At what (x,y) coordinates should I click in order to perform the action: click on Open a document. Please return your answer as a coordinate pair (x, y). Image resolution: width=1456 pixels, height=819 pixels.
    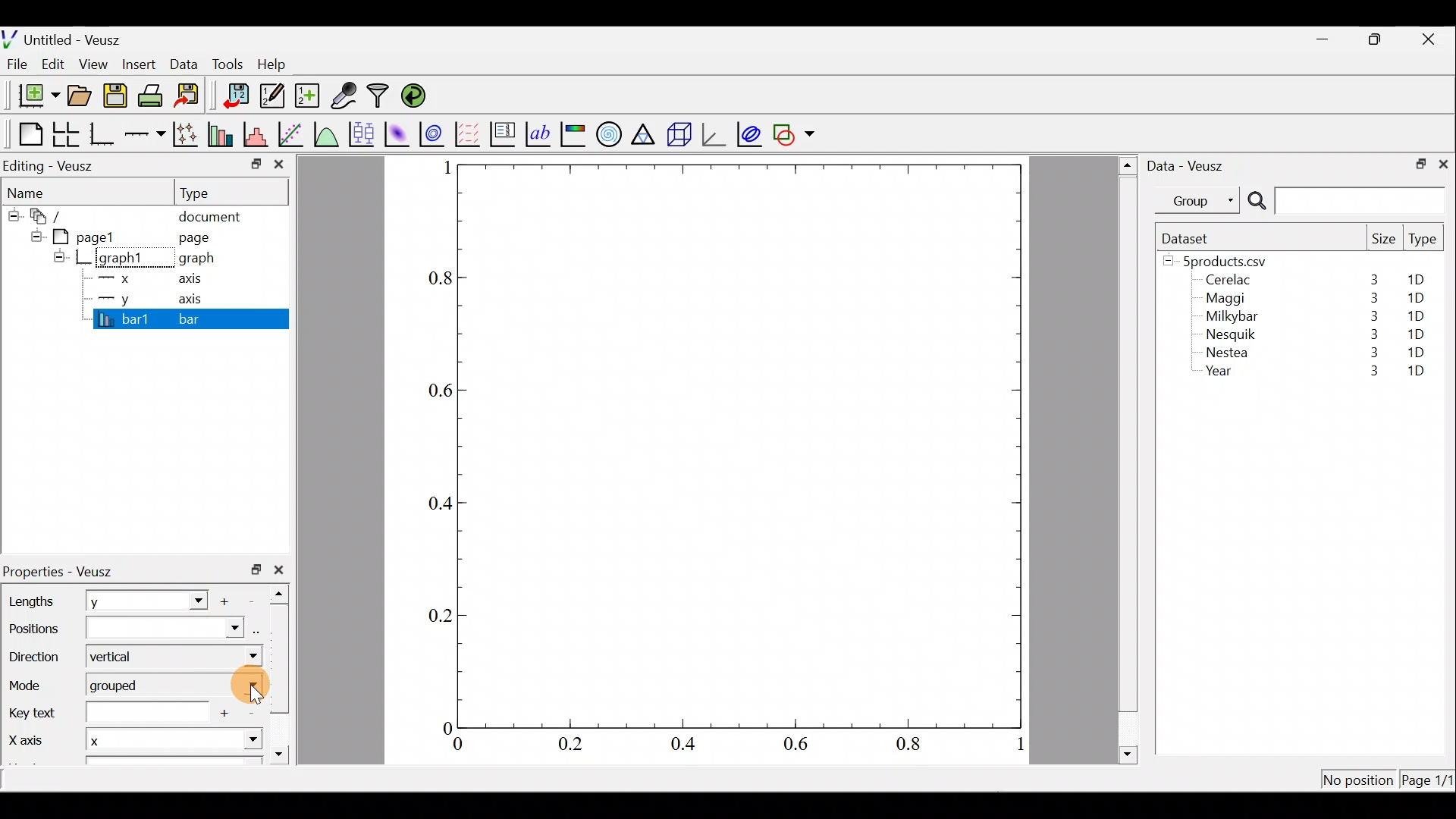
    Looking at the image, I should click on (81, 97).